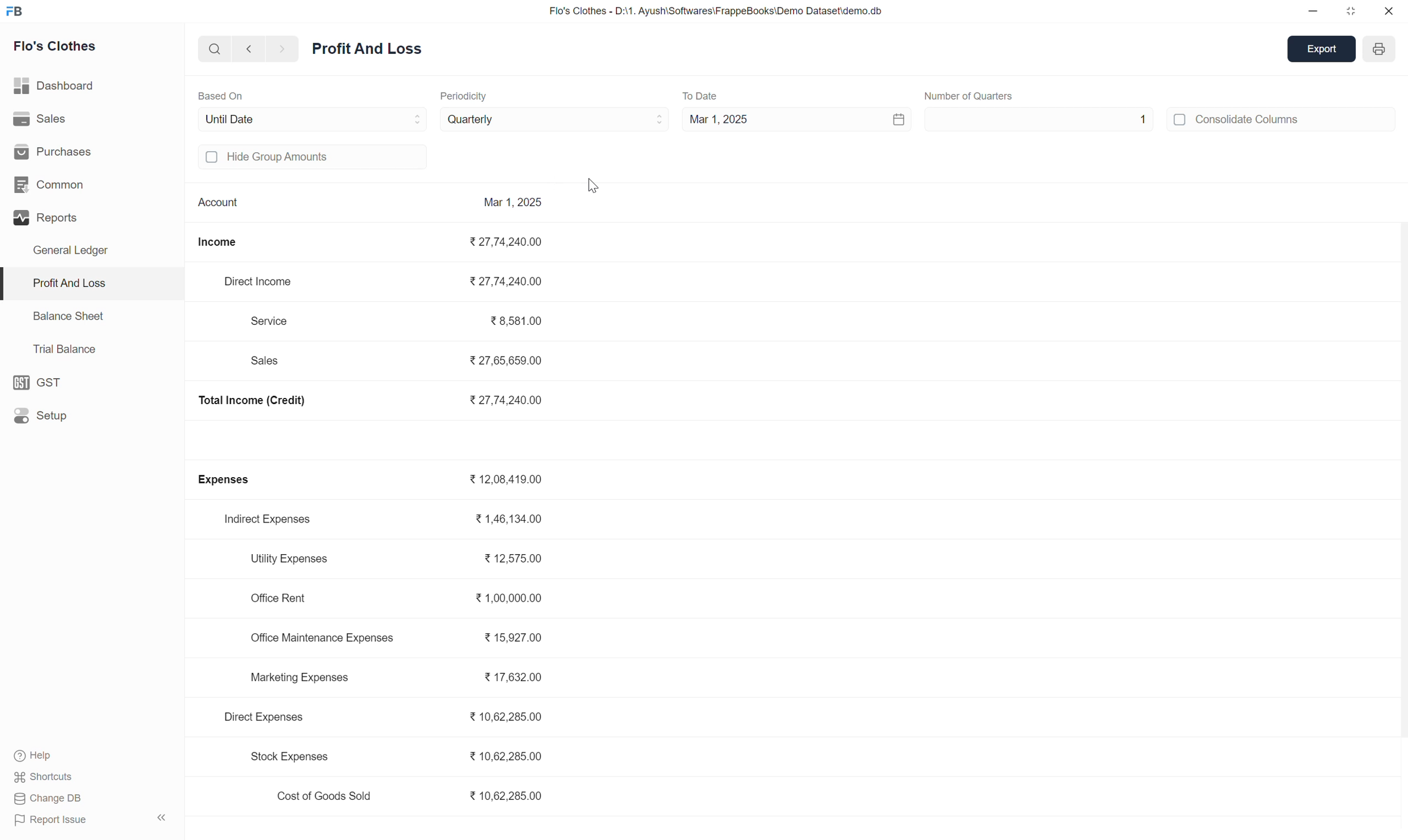 This screenshot has width=1408, height=840. I want to click on Marketing Expenses, so click(295, 677).